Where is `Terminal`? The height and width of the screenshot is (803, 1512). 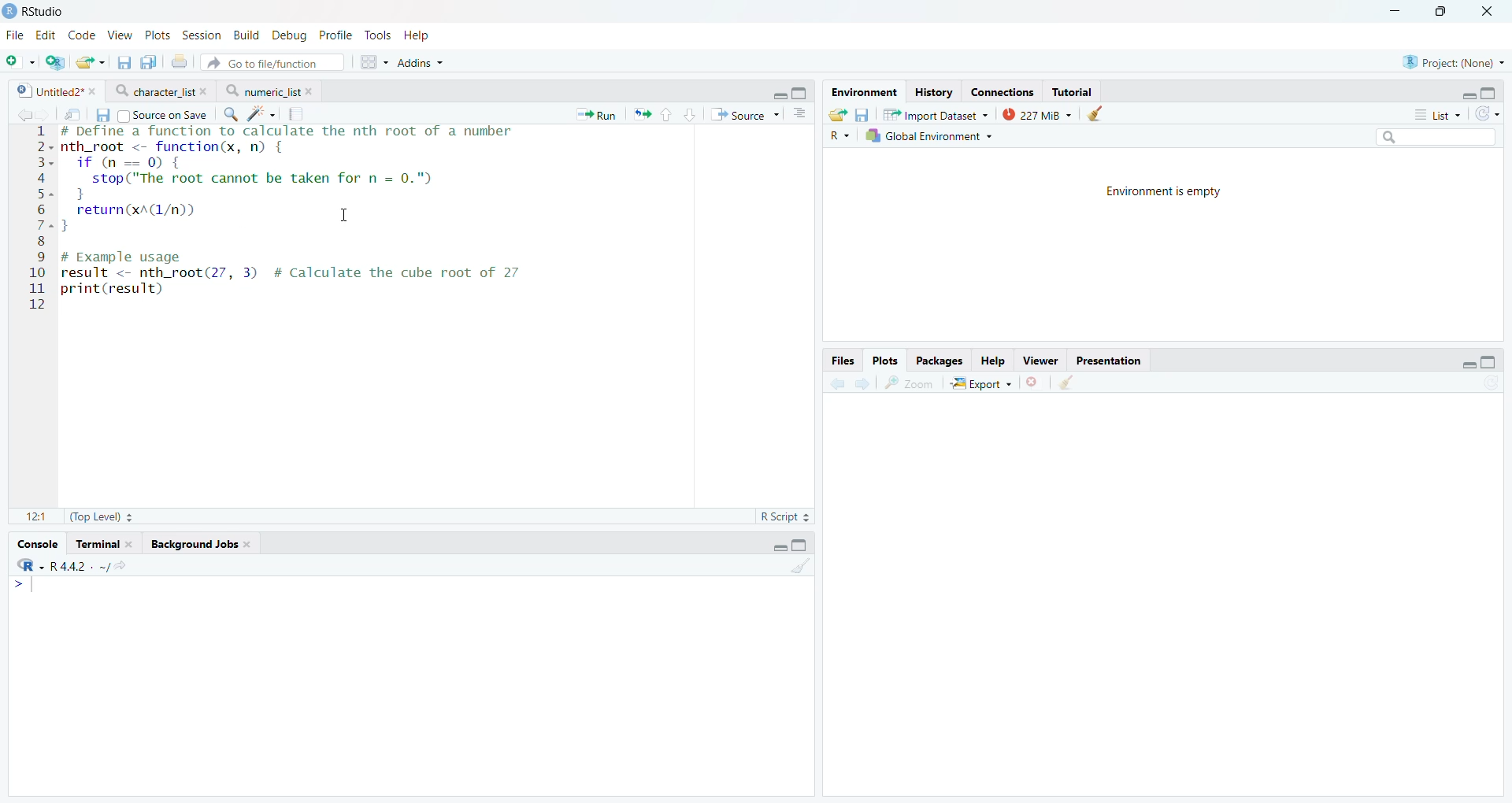 Terminal is located at coordinates (105, 542).